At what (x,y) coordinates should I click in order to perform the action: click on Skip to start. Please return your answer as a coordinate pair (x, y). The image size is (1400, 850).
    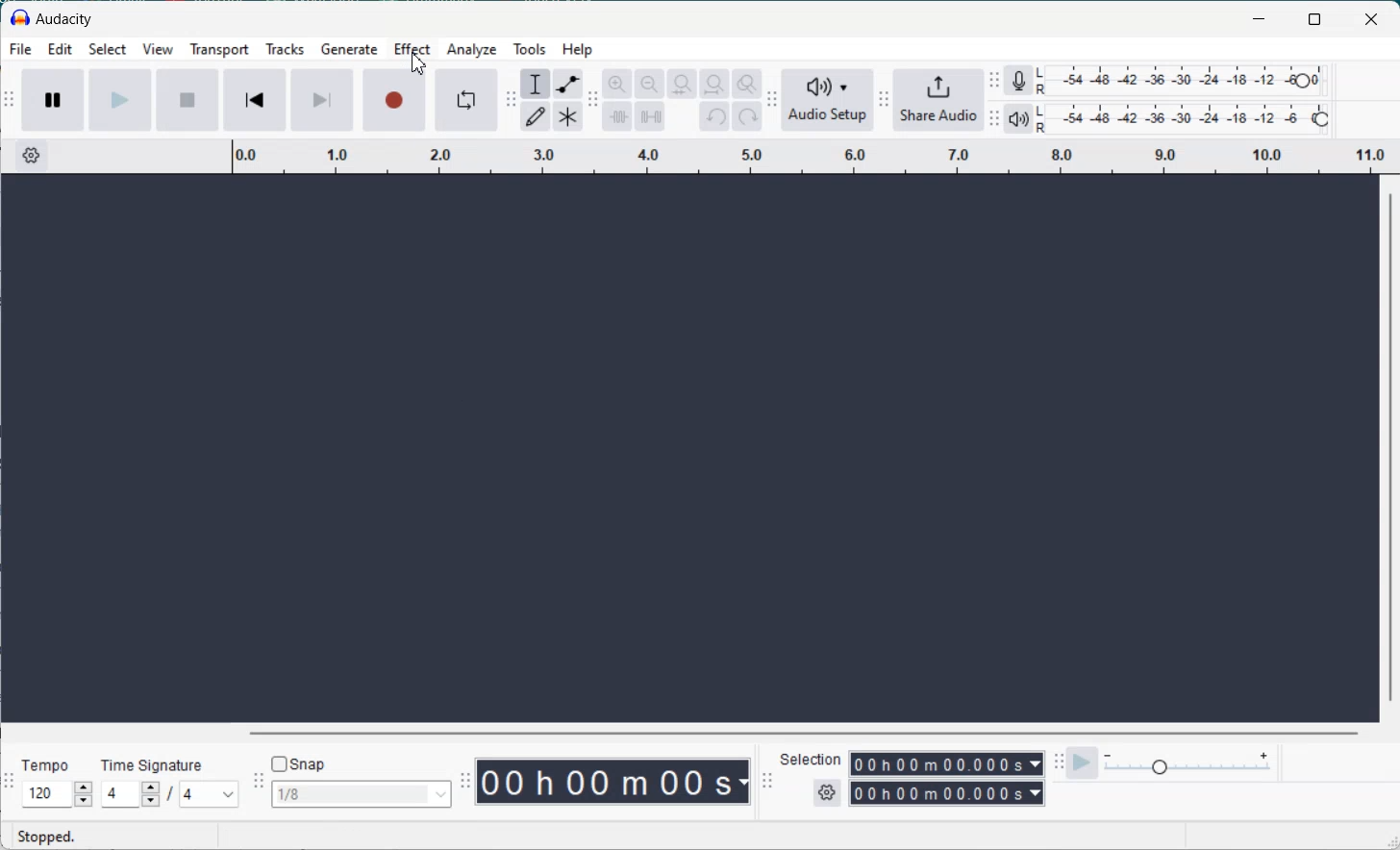
    Looking at the image, I should click on (254, 99).